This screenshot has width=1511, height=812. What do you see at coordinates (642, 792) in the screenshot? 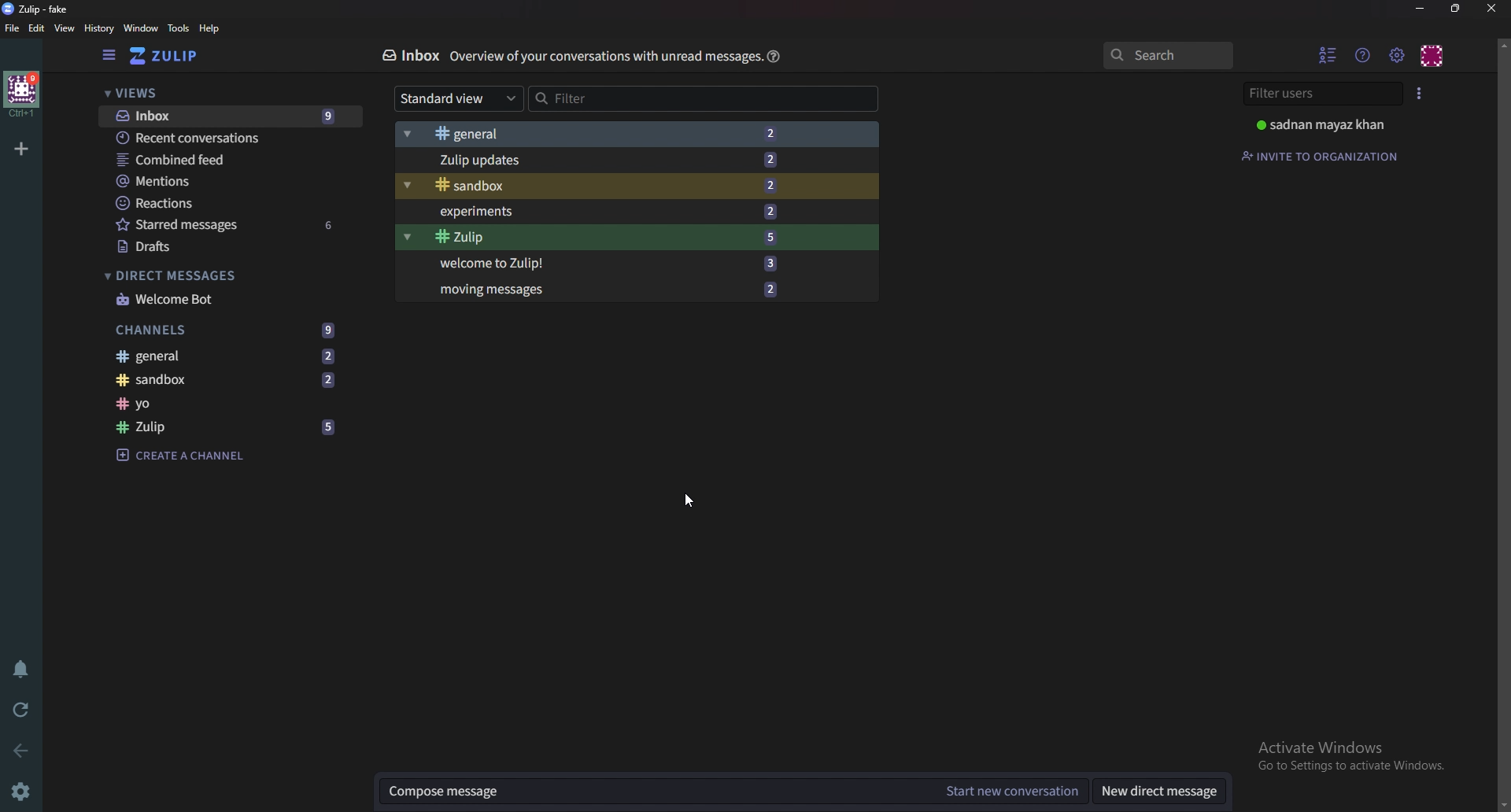
I see `Compose message` at bounding box center [642, 792].